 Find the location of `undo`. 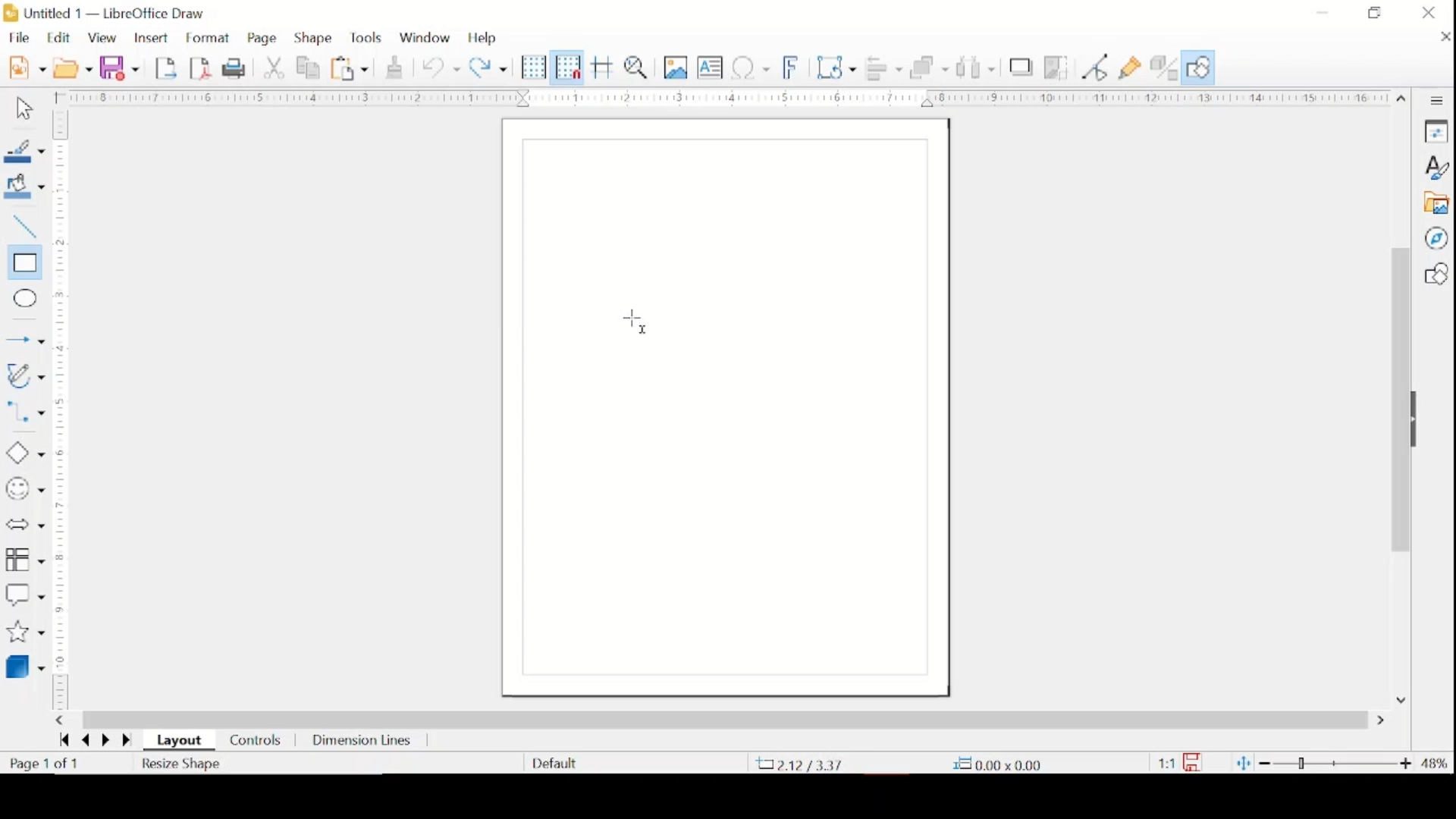

undo is located at coordinates (441, 68).